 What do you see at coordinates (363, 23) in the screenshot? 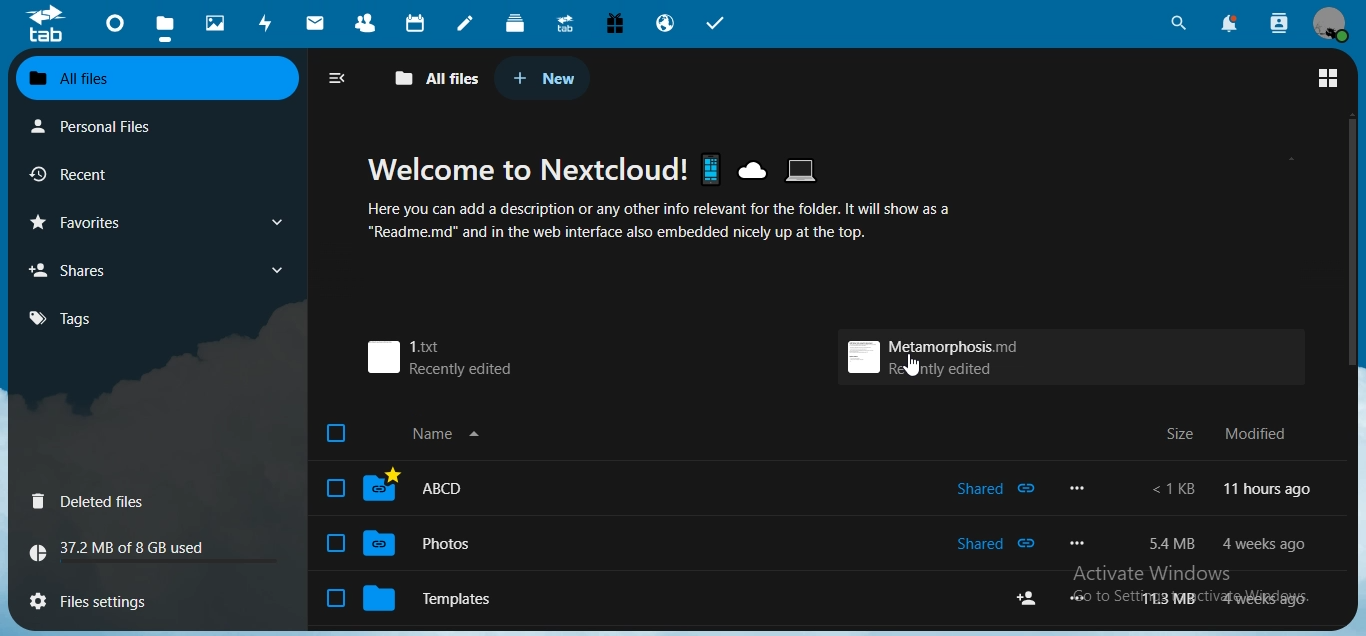
I see `contacts` at bounding box center [363, 23].